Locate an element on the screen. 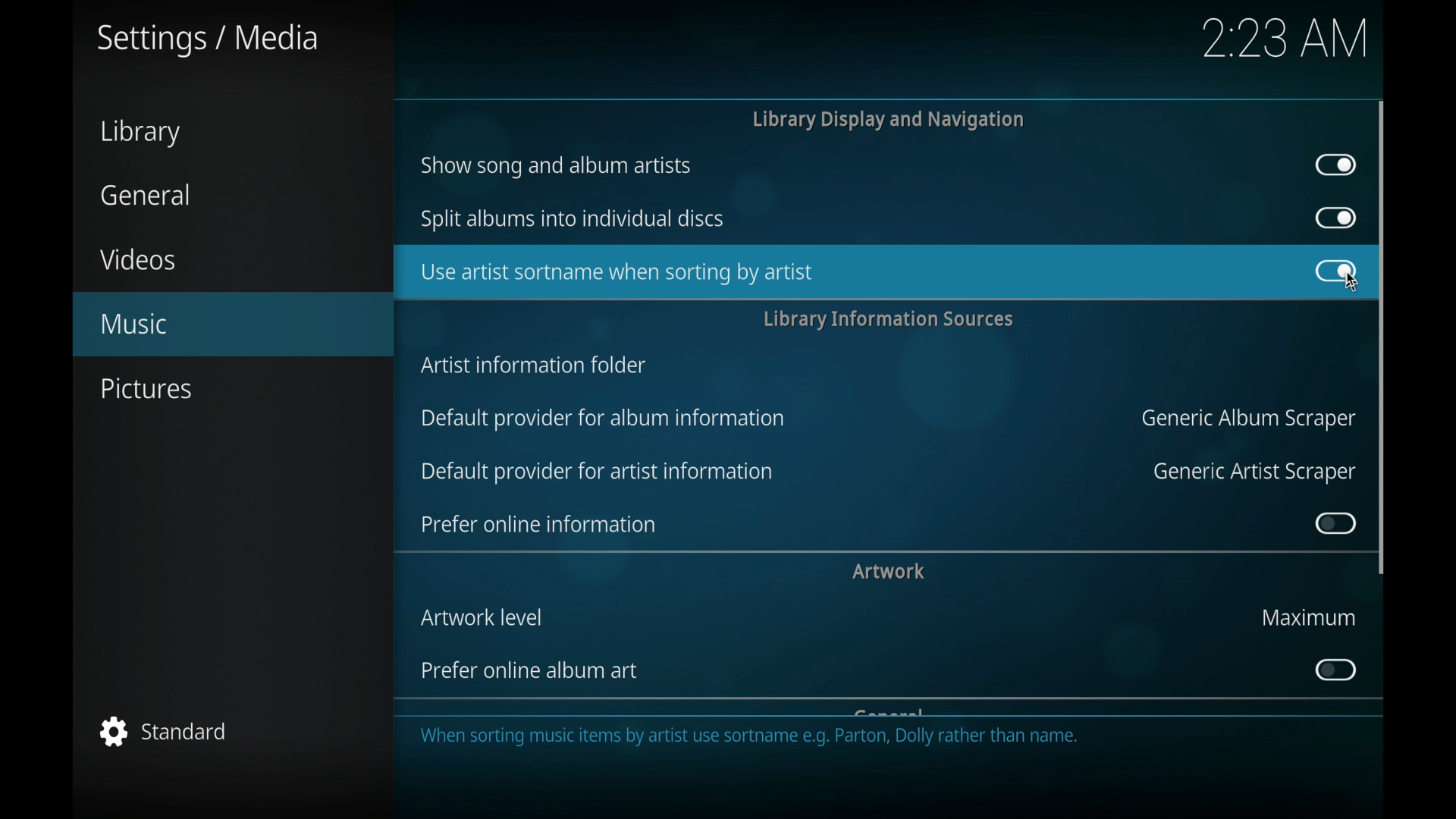 The image size is (1456, 819). videos is located at coordinates (140, 259).